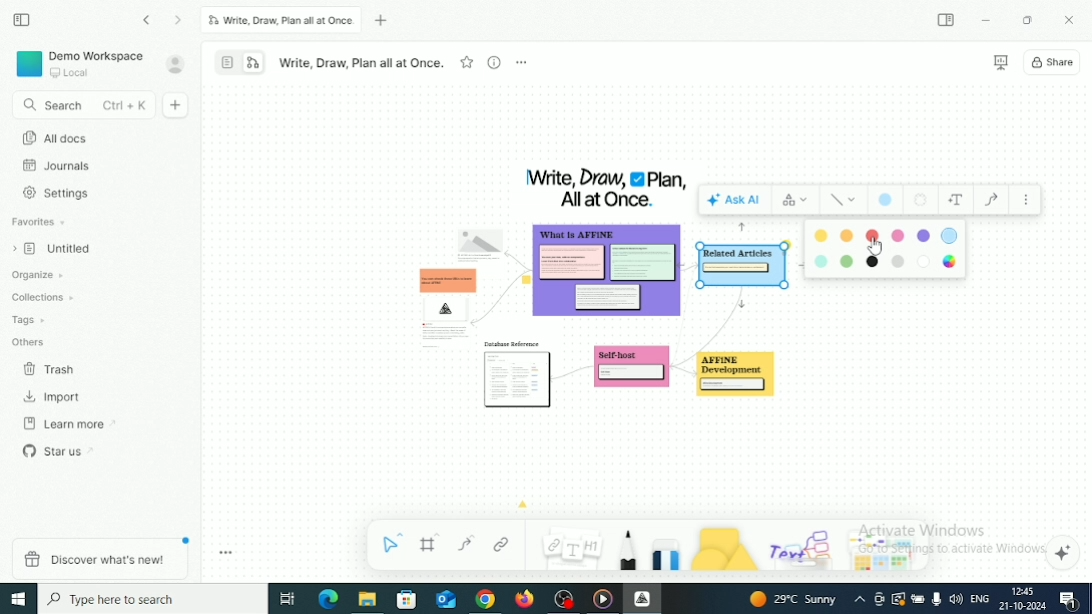 The width and height of the screenshot is (1092, 614). What do you see at coordinates (40, 275) in the screenshot?
I see `Organize` at bounding box center [40, 275].